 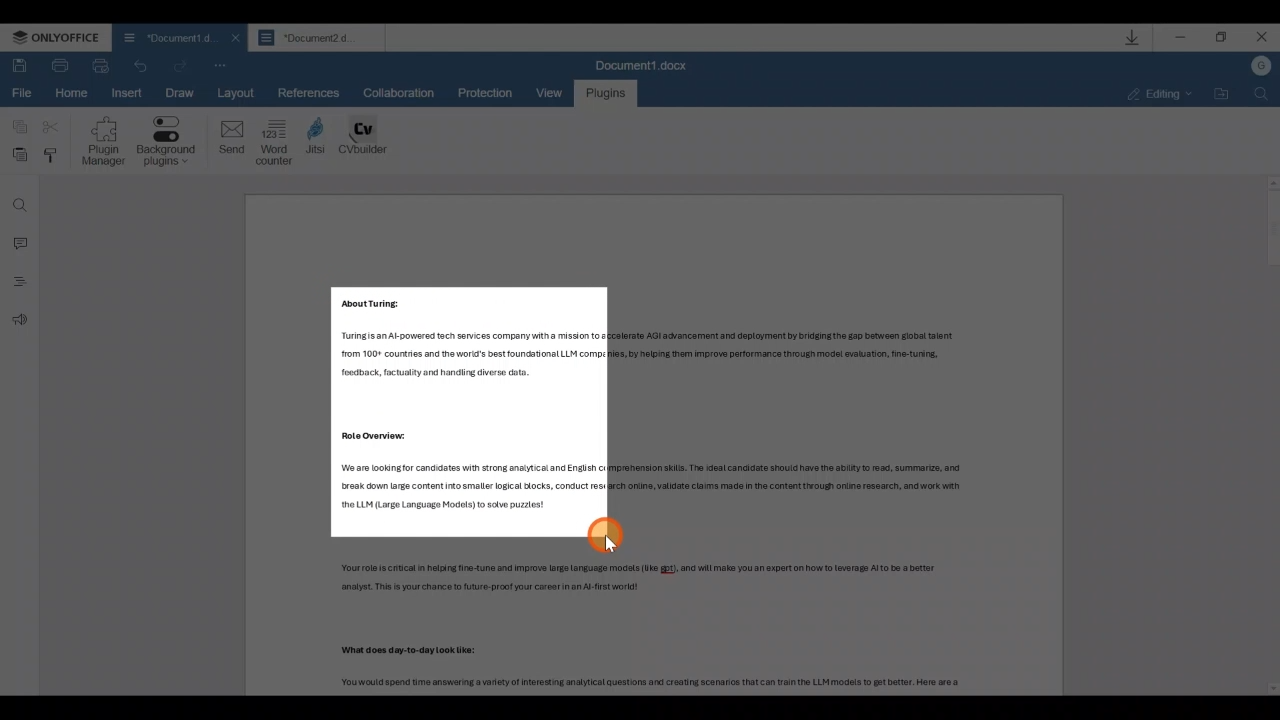 I want to click on Cut, so click(x=52, y=128).